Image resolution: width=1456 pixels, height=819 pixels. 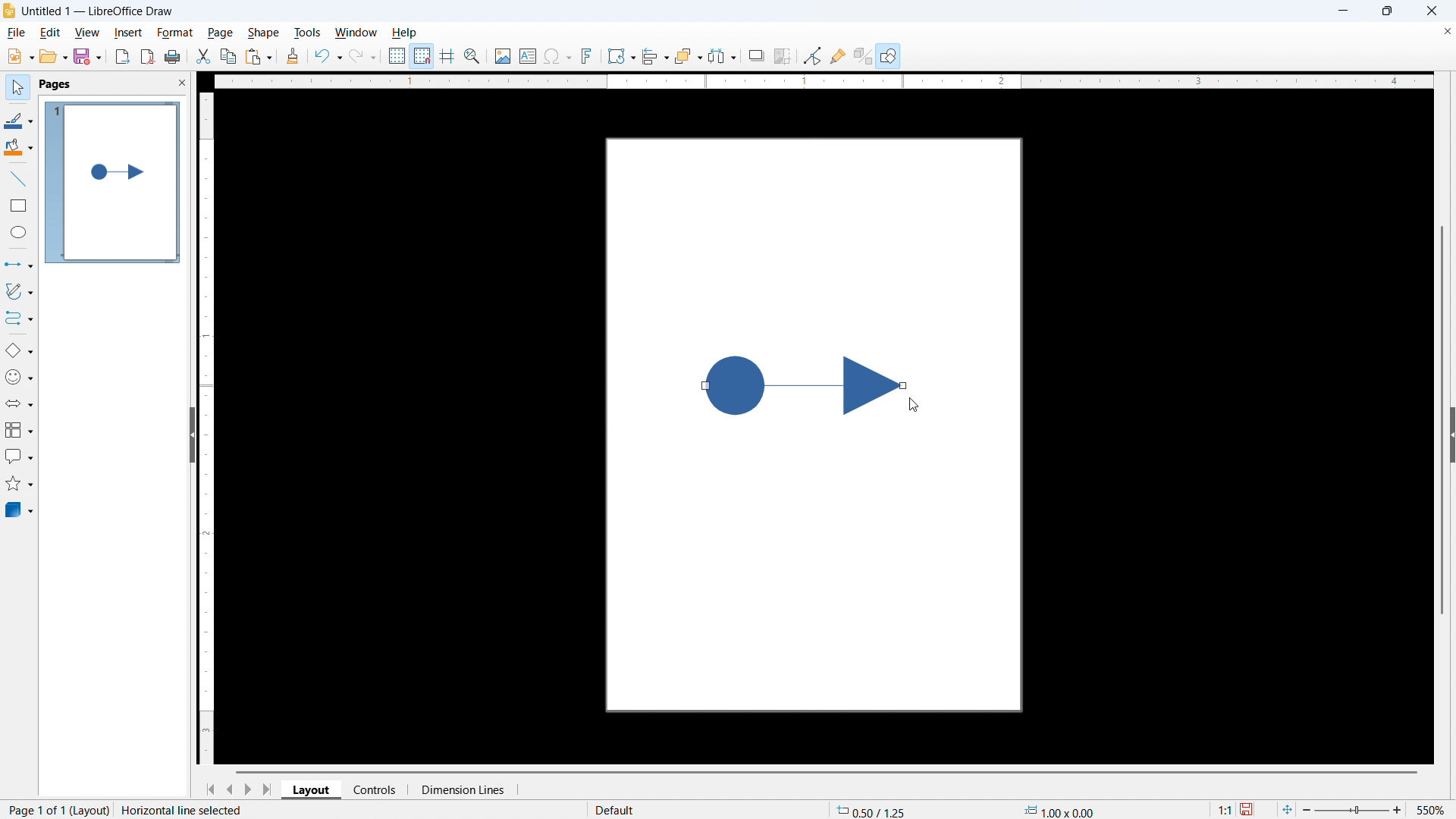 I want to click on Zoom , so click(x=472, y=56).